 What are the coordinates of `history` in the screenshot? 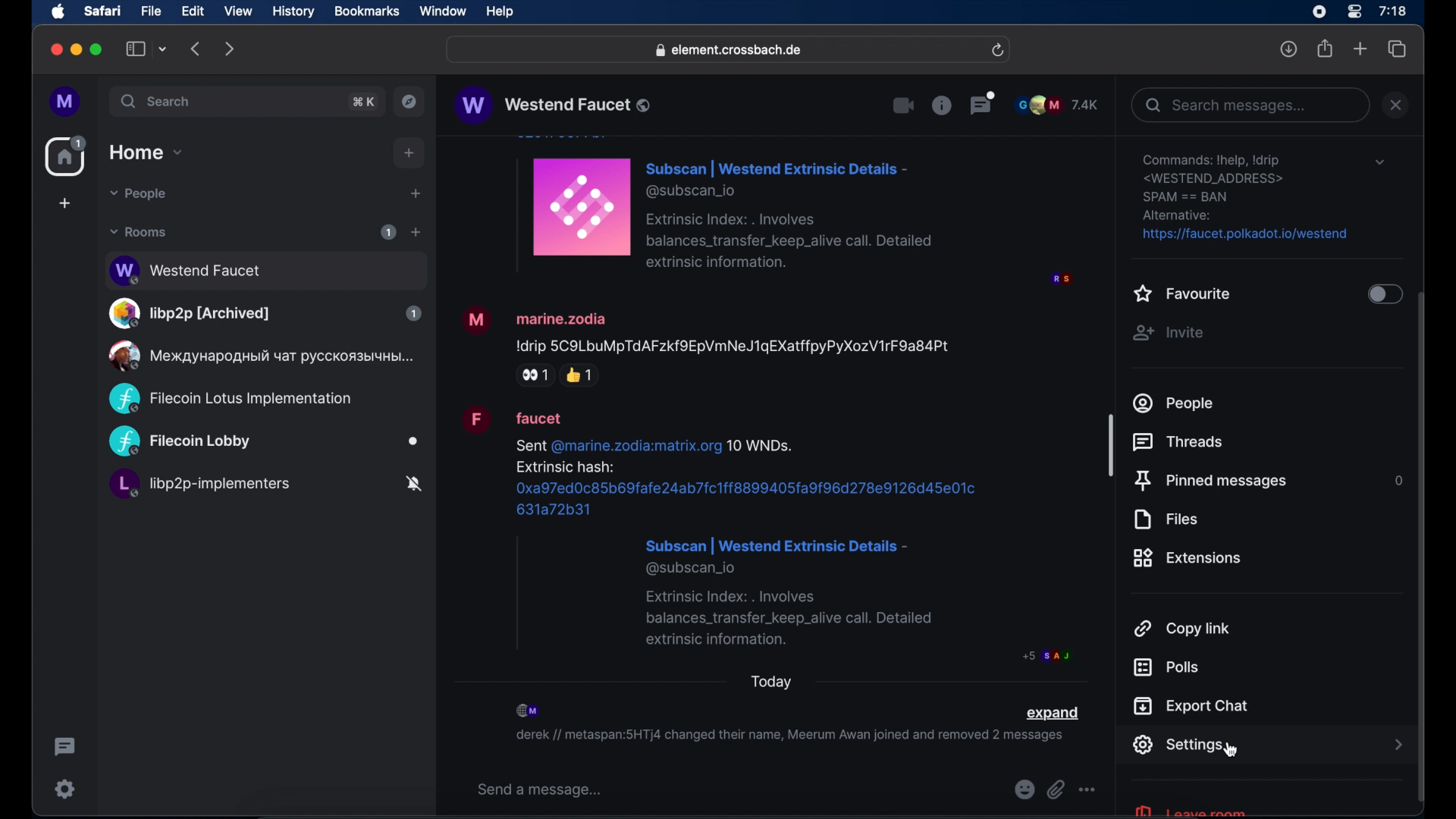 It's located at (293, 12).